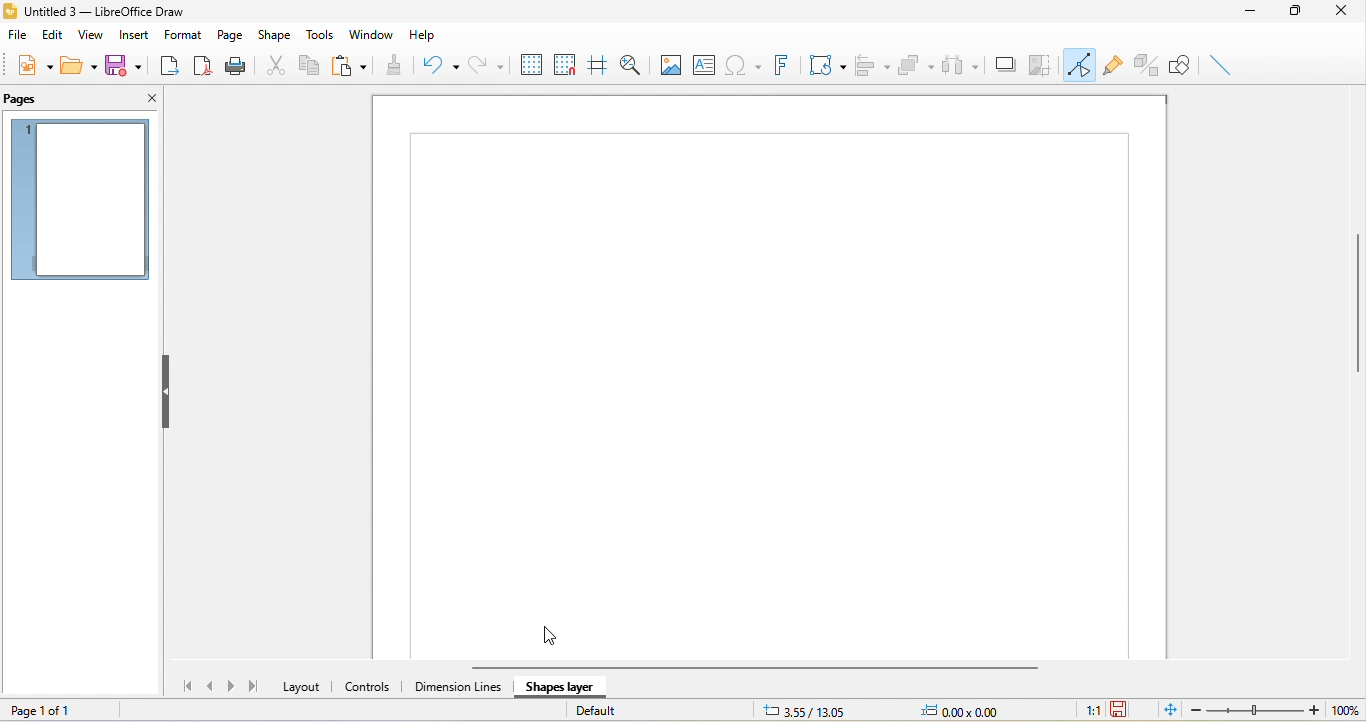 This screenshot has height=722, width=1366. I want to click on insert line, so click(1224, 65).